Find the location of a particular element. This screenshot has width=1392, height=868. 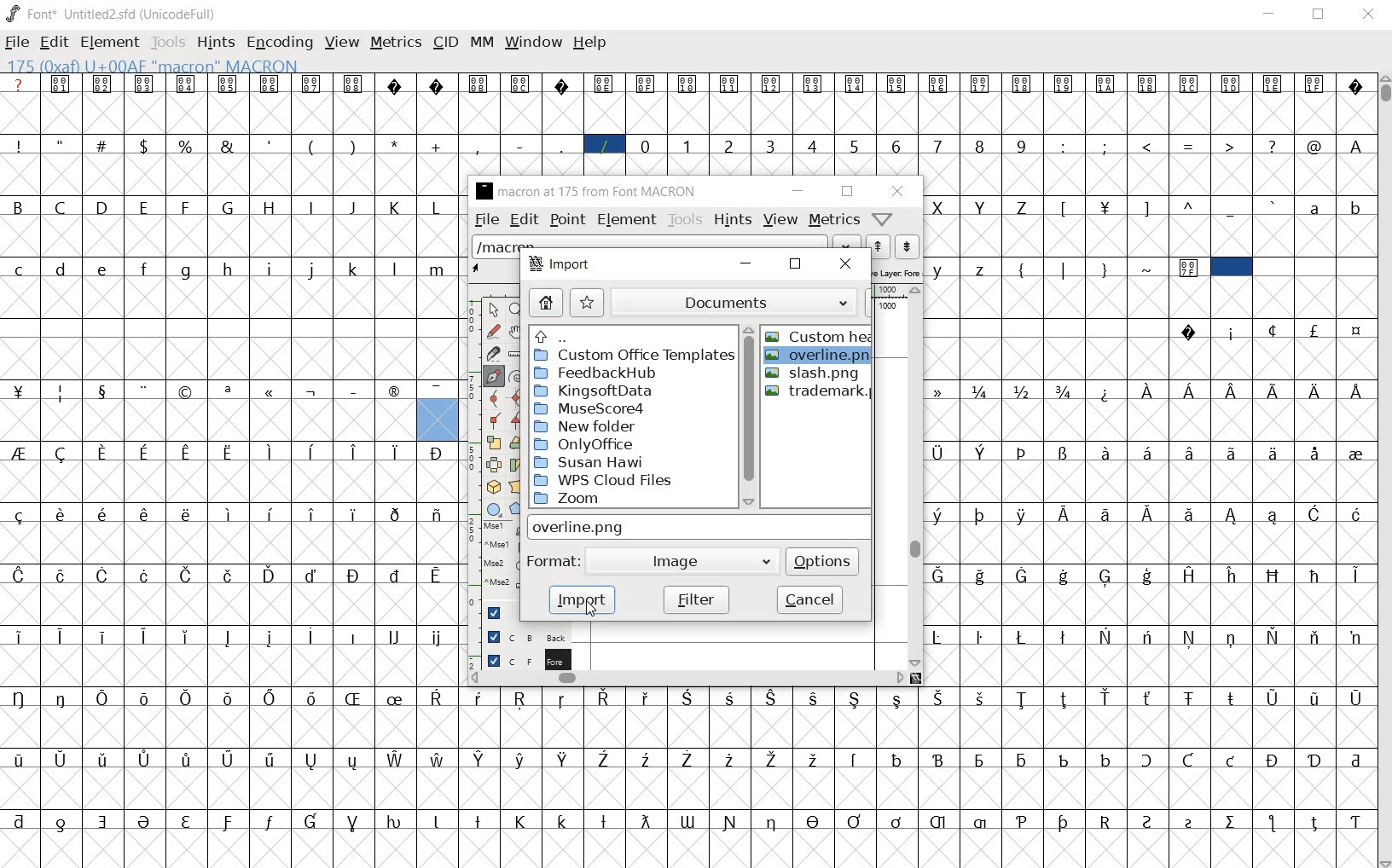

Symbol is located at coordinates (20, 819).